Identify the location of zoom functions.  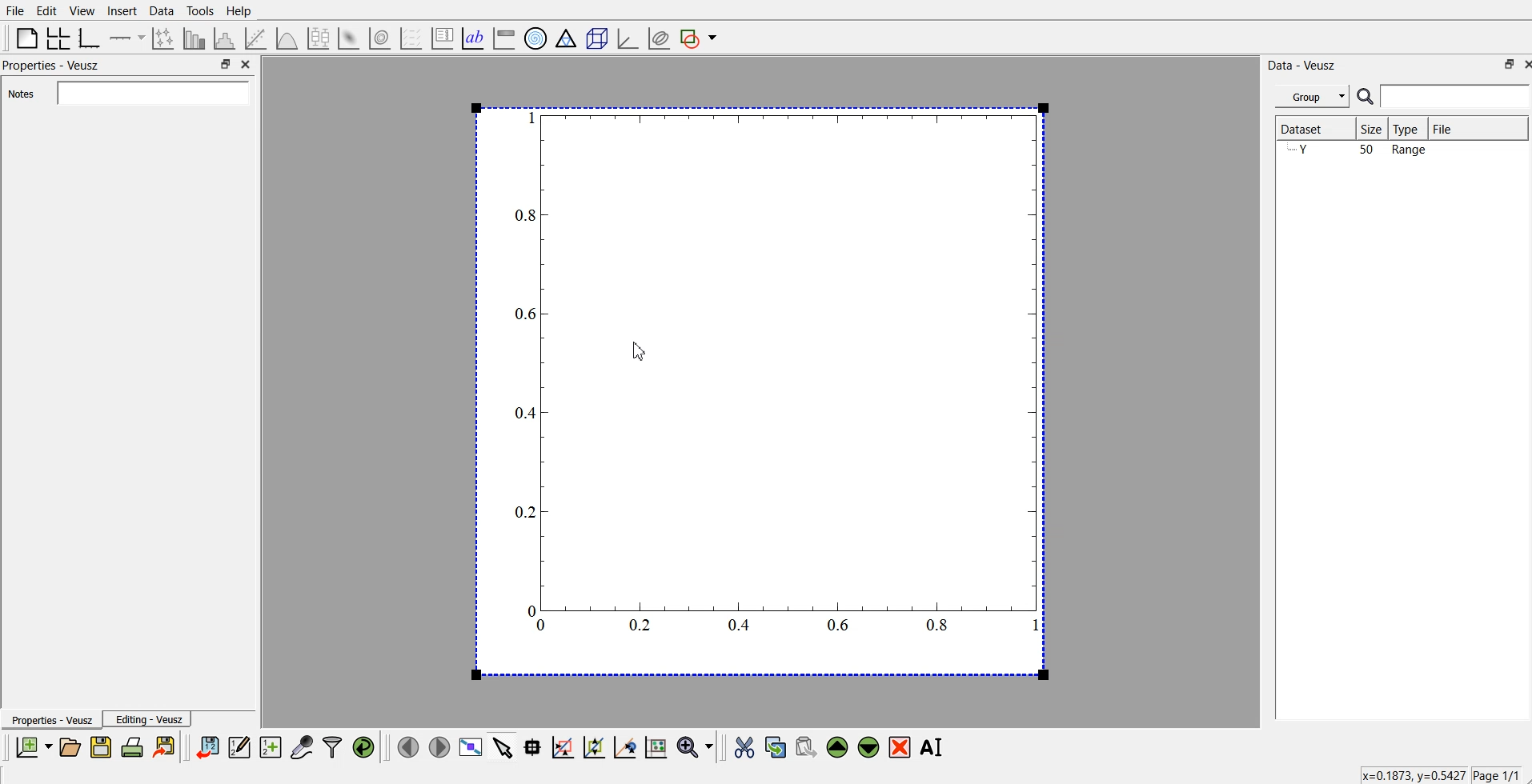
(696, 746).